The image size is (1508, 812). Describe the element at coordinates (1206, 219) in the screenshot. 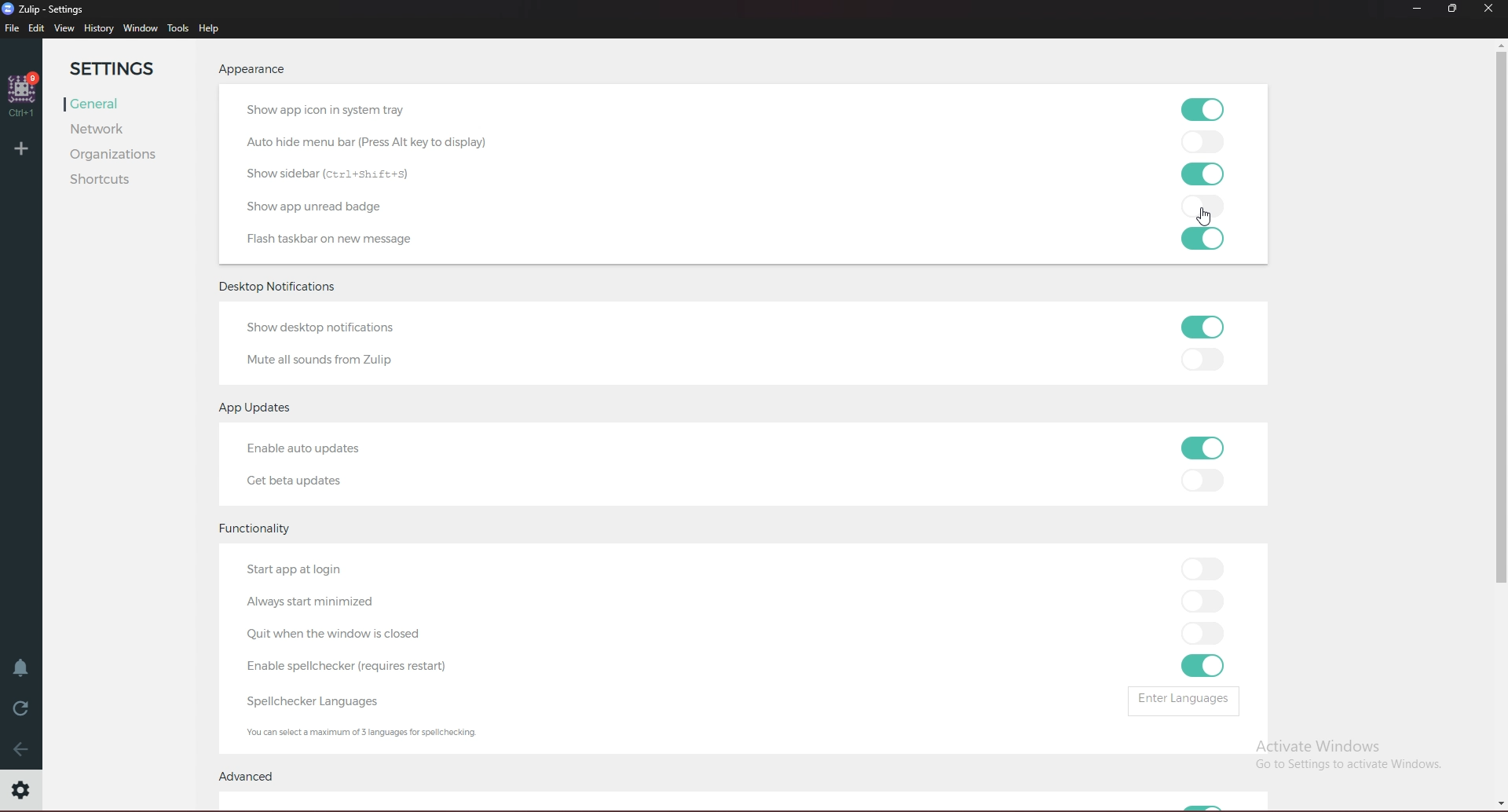

I see `cursor` at that location.